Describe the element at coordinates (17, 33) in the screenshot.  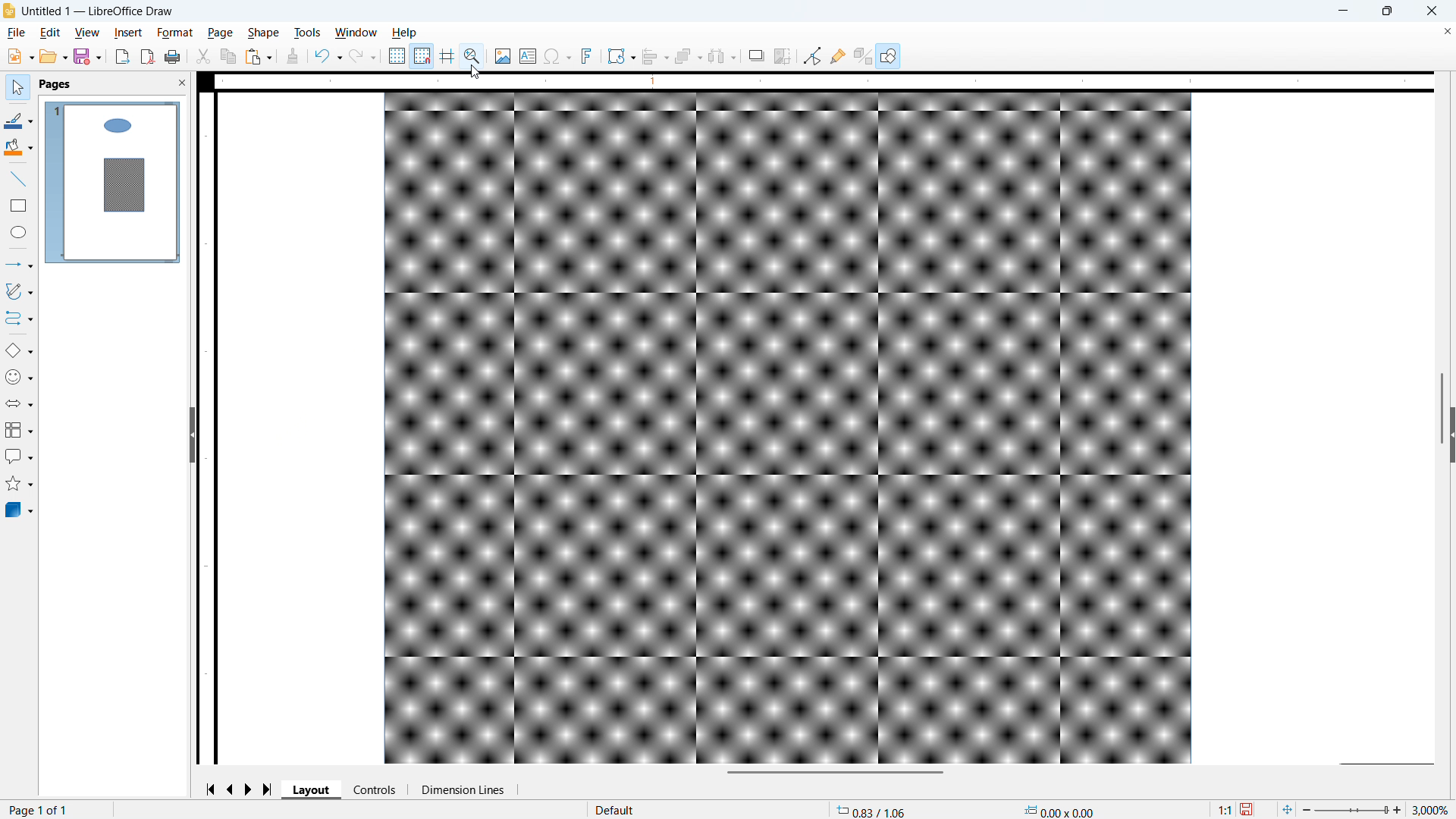
I see `file ` at that location.